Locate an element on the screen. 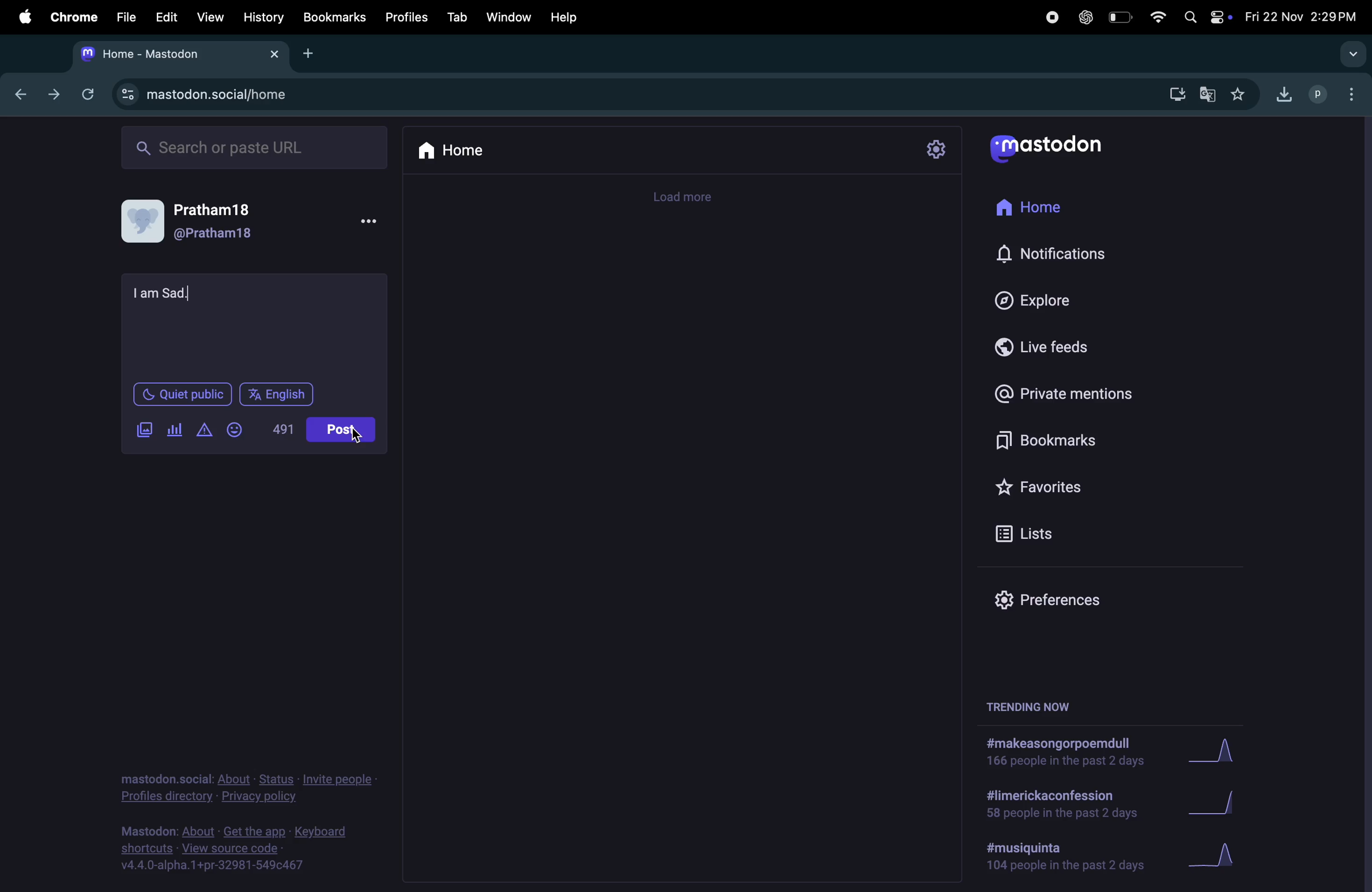 This screenshot has width=1372, height=892. Pratham 18 is located at coordinates (210, 207).